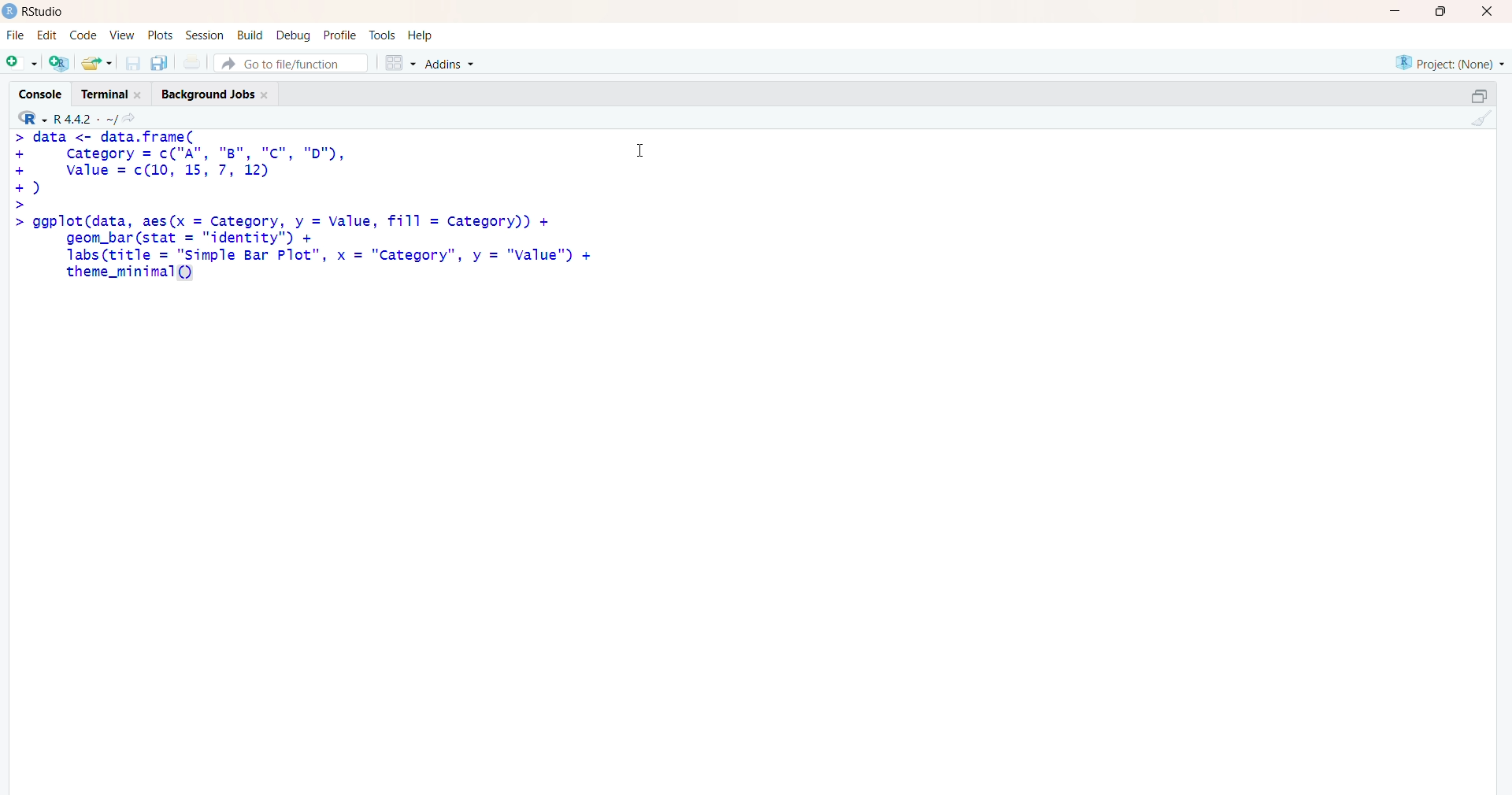 This screenshot has height=795, width=1512. I want to click on save current document, so click(132, 63).